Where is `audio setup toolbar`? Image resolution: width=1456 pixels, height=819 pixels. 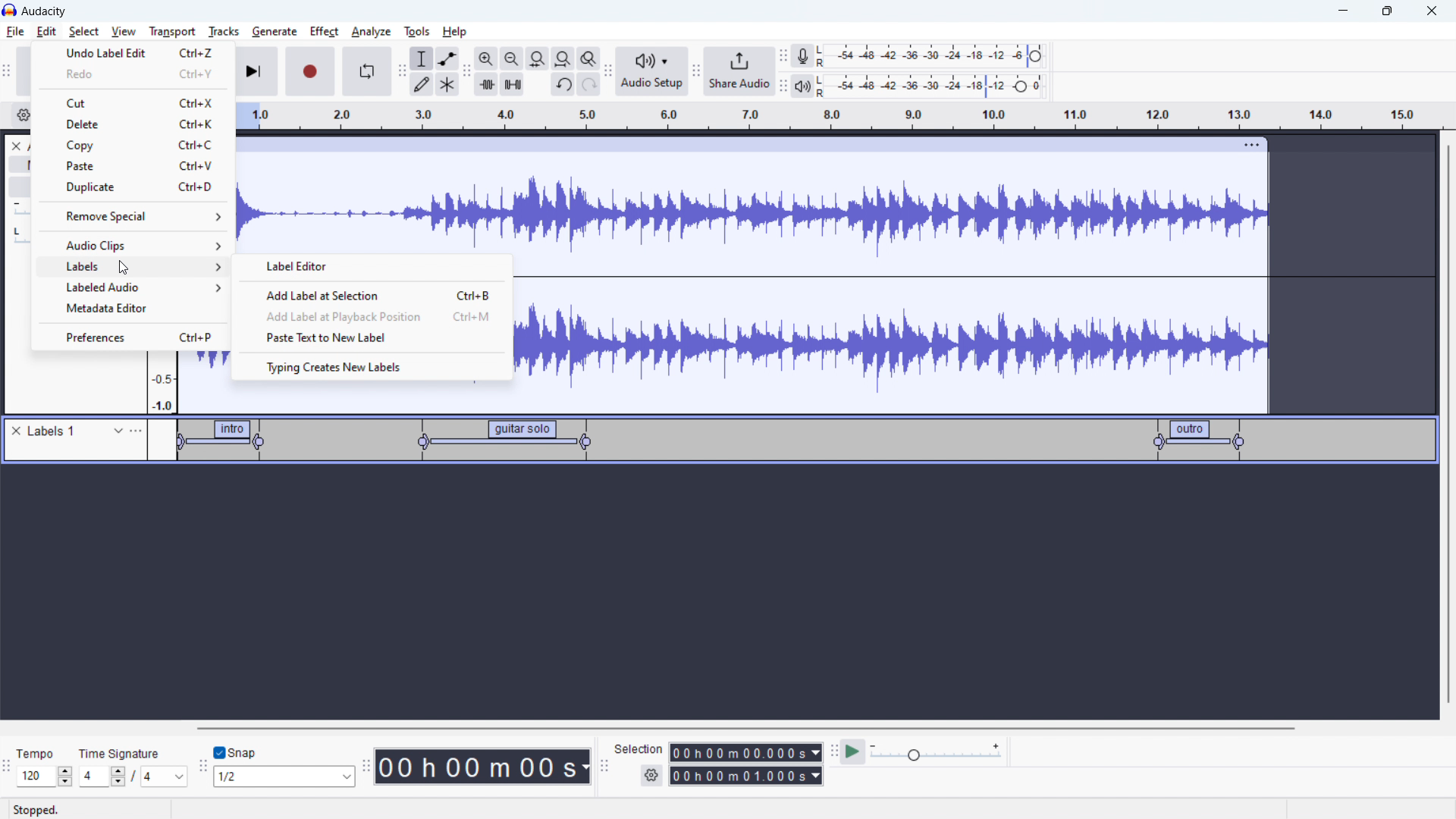
audio setup toolbar is located at coordinates (607, 71).